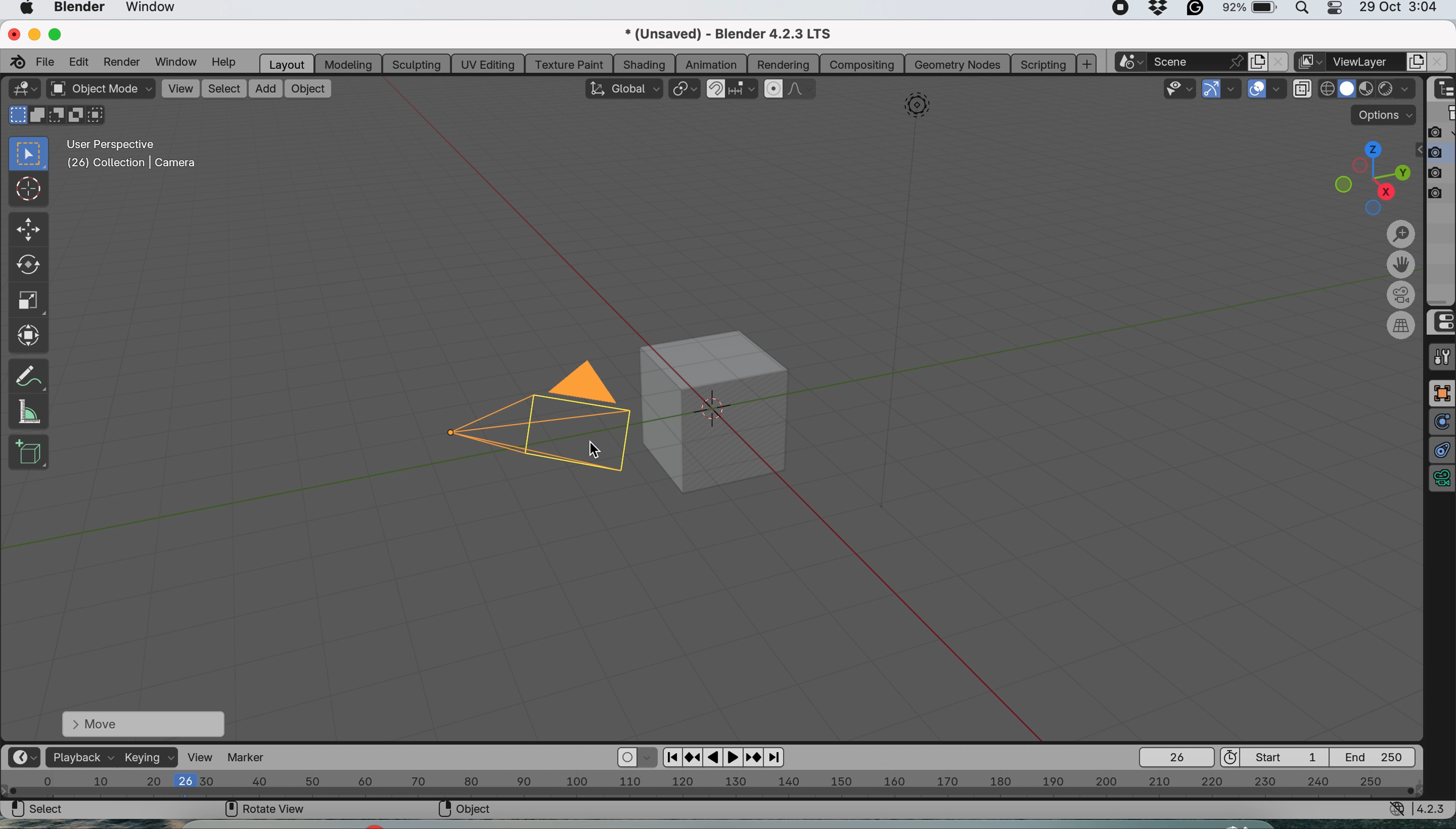 Image resolution: width=1456 pixels, height=829 pixels. What do you see at coordinates (1367, 62) in the screenshot?
I see `view layer` at bounding box center [1367, 62].